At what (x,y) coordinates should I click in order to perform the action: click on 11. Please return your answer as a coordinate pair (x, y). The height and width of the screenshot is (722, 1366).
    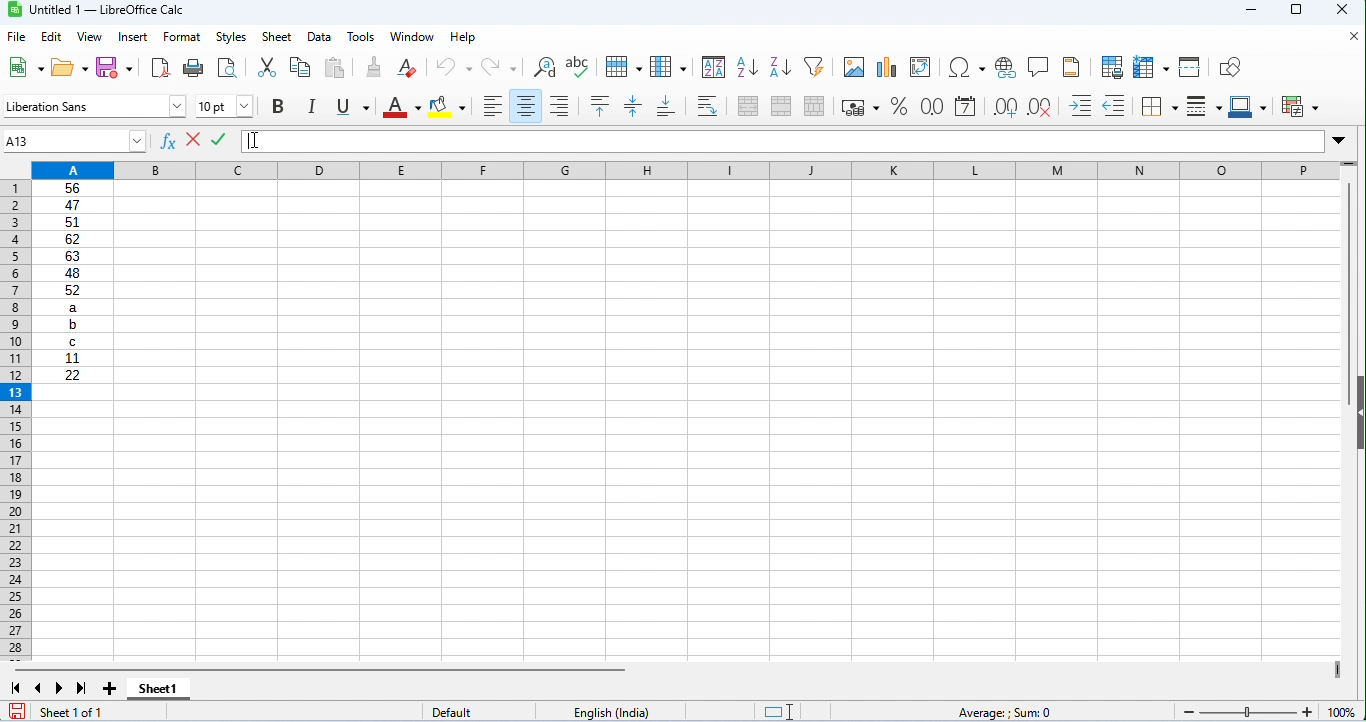
    Looking at the image, I should click on (72, 358).